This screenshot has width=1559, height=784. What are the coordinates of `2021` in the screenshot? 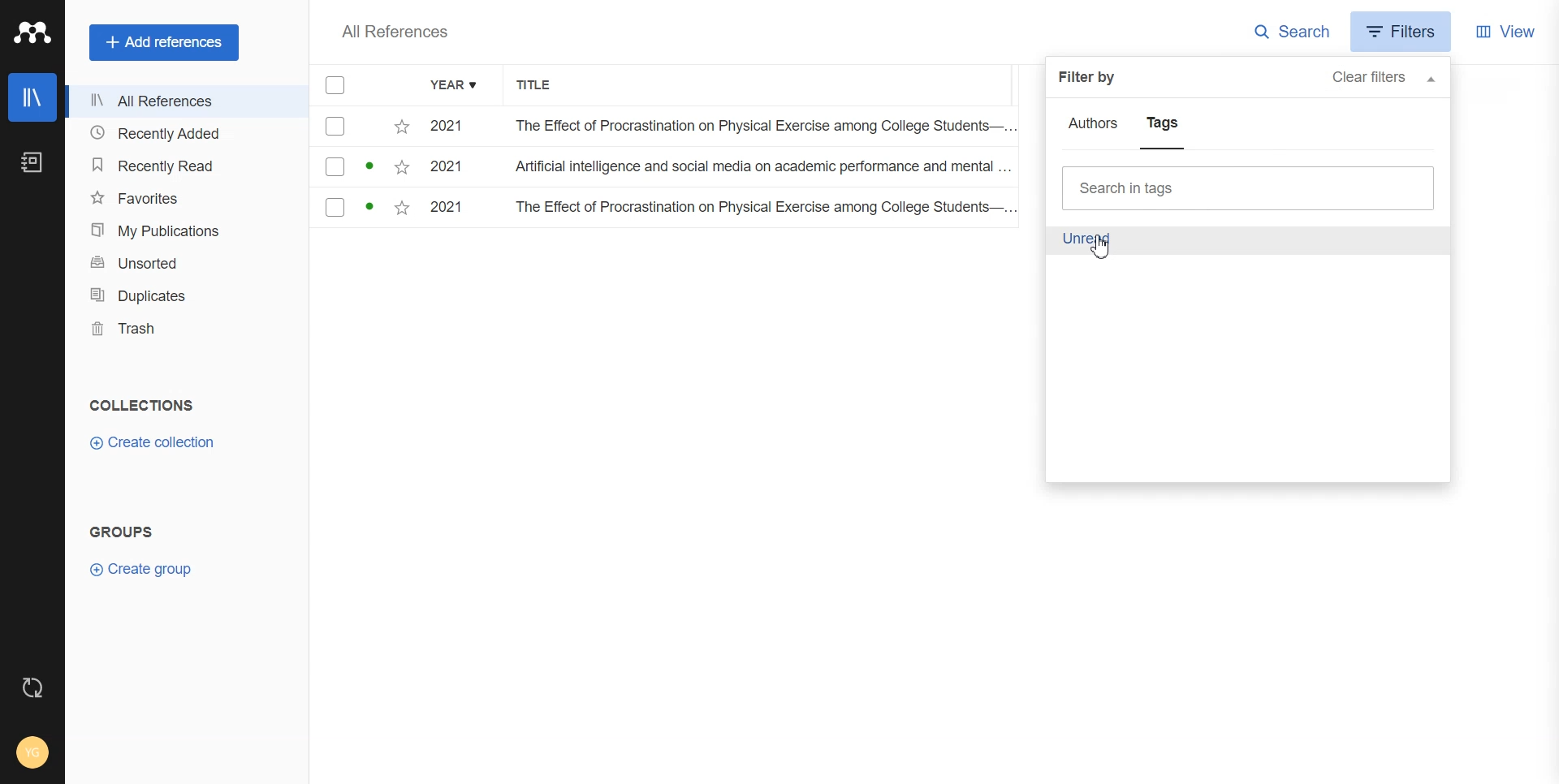 It's located at (452, 127).